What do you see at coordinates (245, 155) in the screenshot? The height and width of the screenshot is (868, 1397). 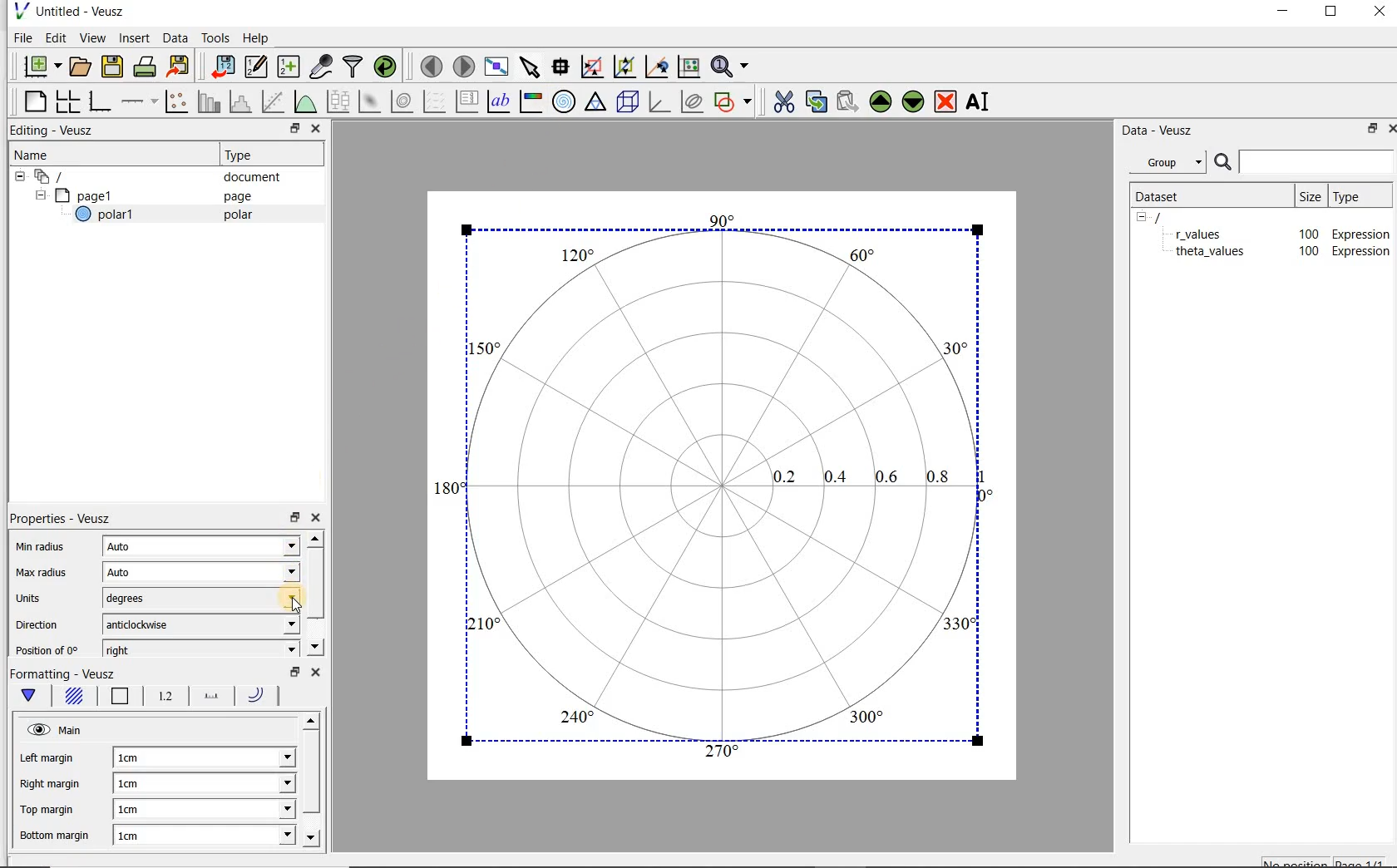 I see `Type` at bounding box center [245, 155].